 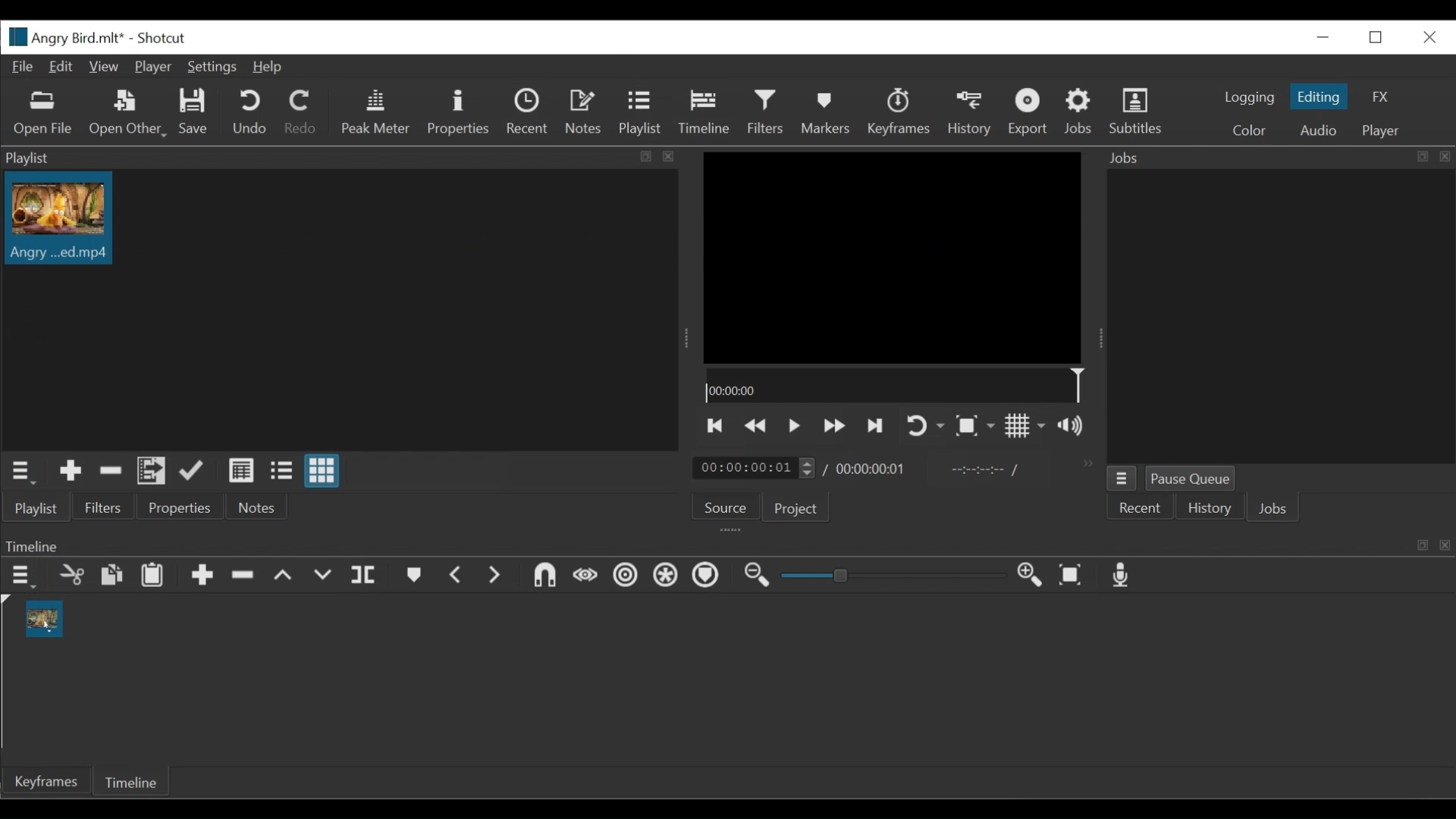 I want to click on Shotcut, so click(x=162, y=39).